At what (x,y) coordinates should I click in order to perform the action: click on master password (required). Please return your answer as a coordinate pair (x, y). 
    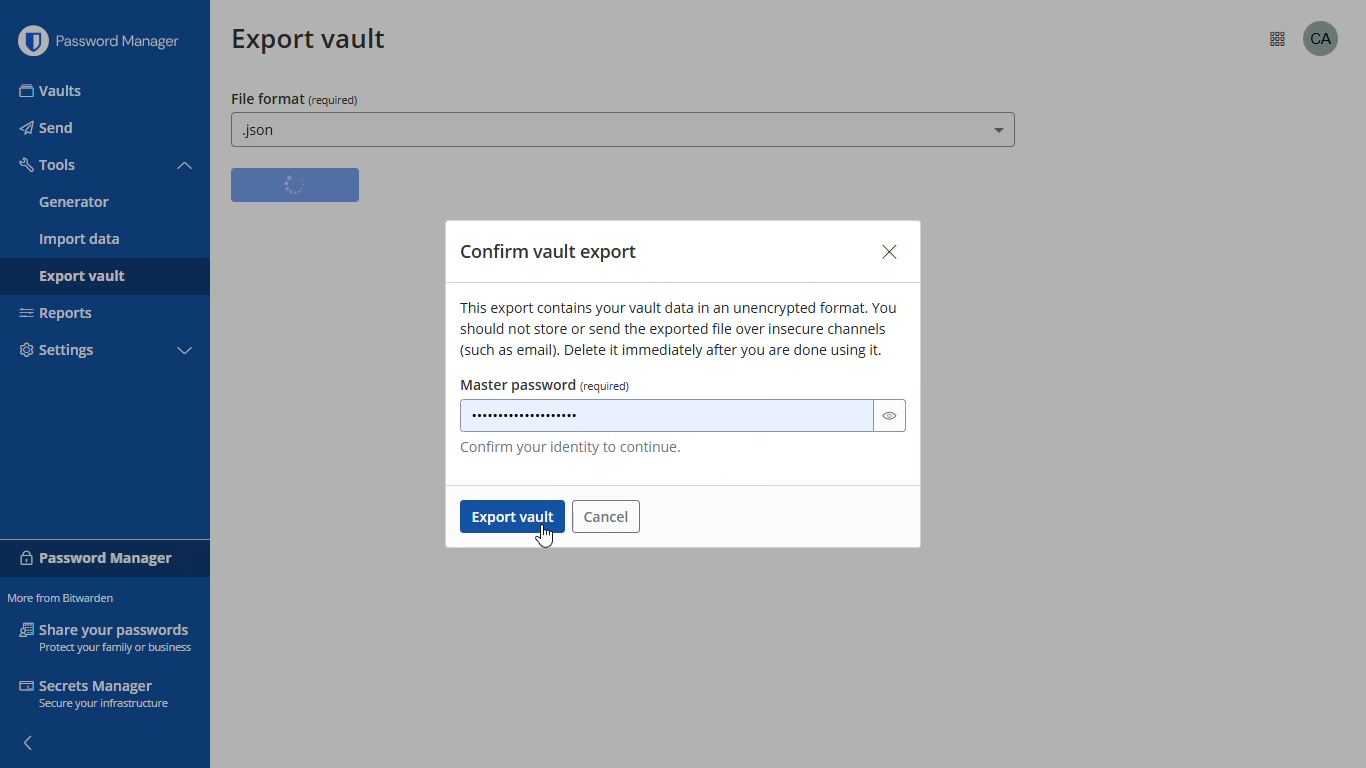
    Looking at the image, I should click on (545, 385).